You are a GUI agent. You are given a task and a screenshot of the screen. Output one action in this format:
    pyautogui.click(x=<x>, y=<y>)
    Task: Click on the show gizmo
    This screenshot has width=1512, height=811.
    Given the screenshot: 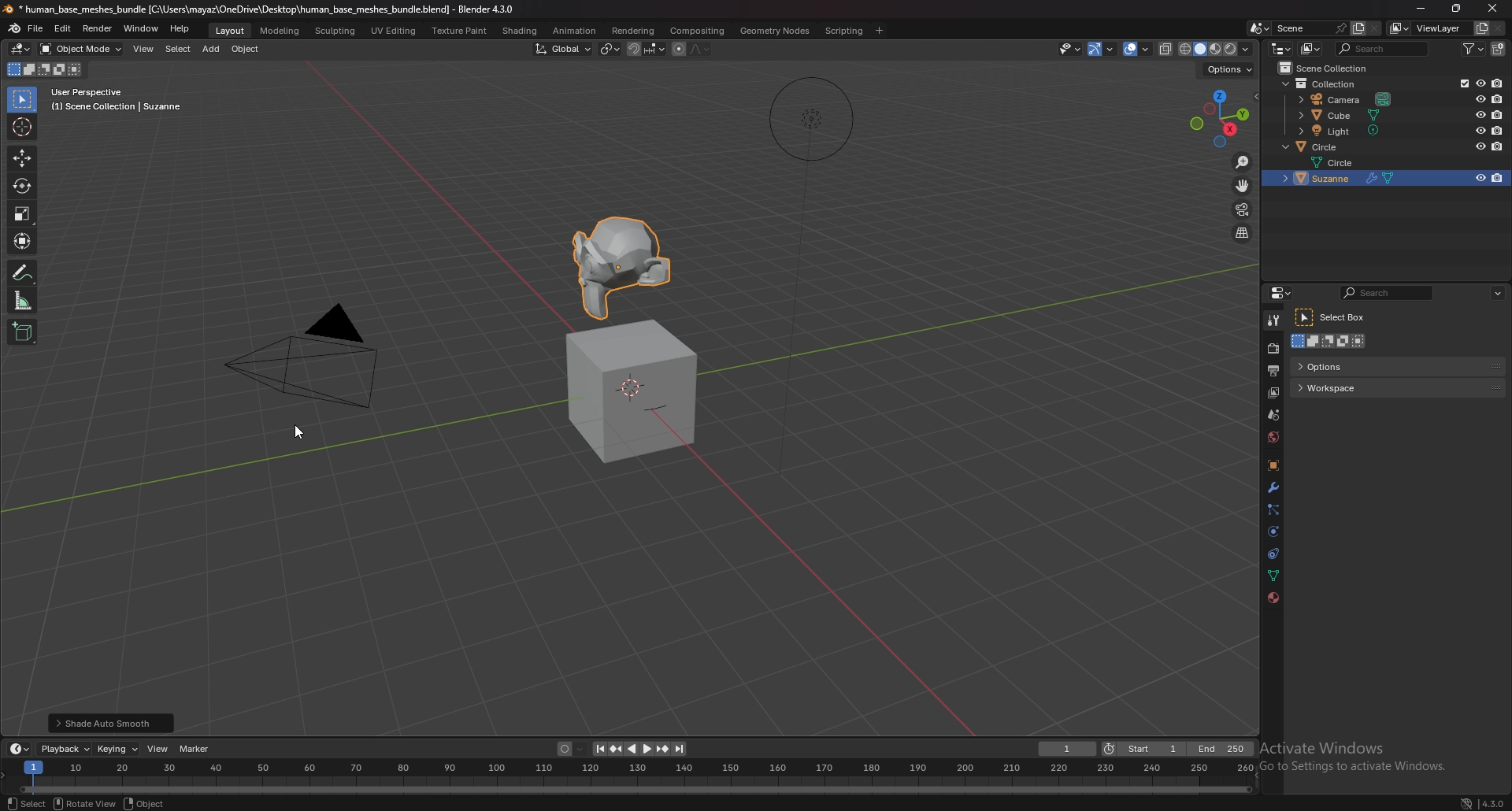 What is the action you would take?
    pyautogui.click(x=1102, y=49)
    